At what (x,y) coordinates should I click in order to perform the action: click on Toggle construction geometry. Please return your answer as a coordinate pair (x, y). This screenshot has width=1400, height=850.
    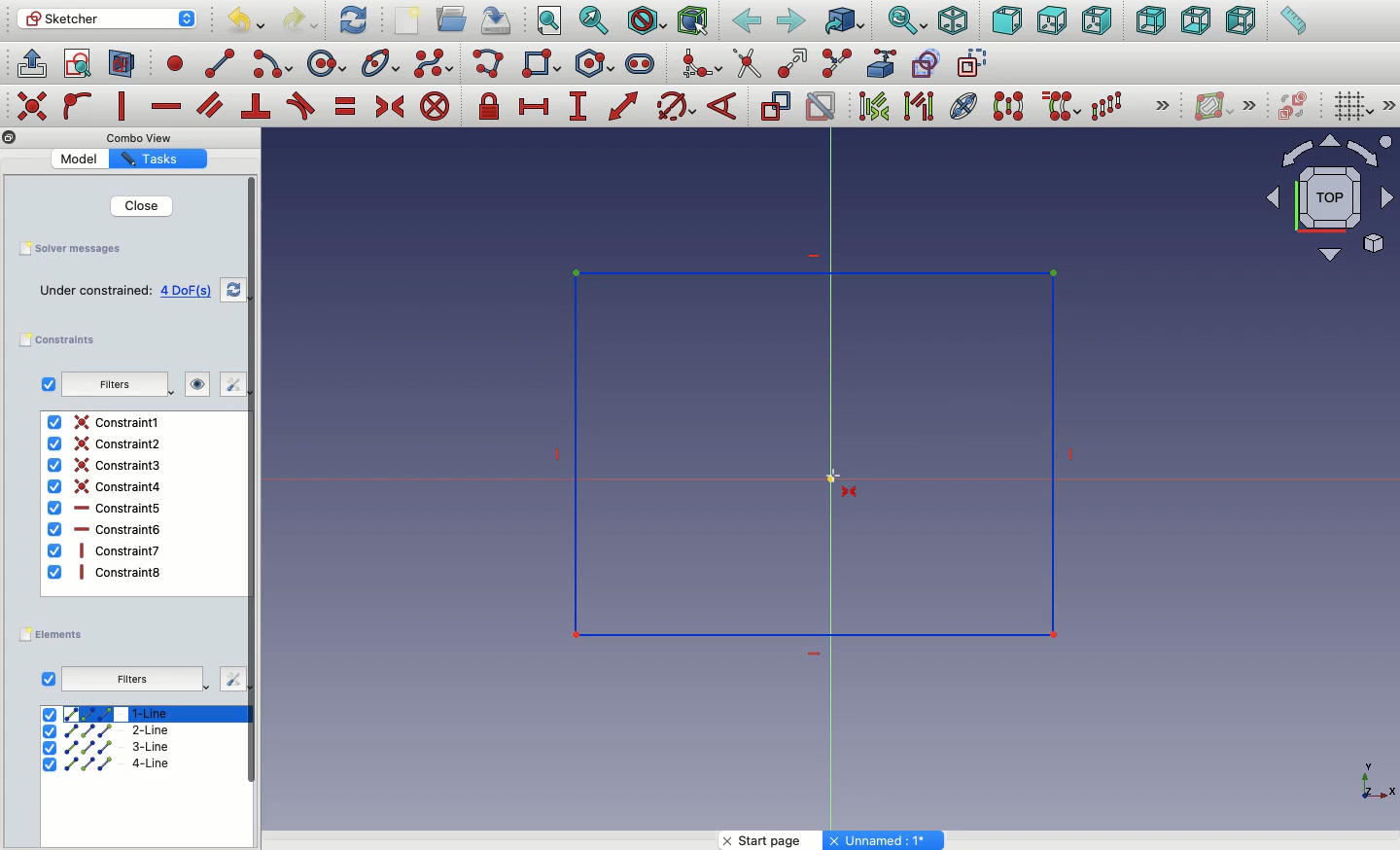
    Looking at the image, I should click on (973, 62).